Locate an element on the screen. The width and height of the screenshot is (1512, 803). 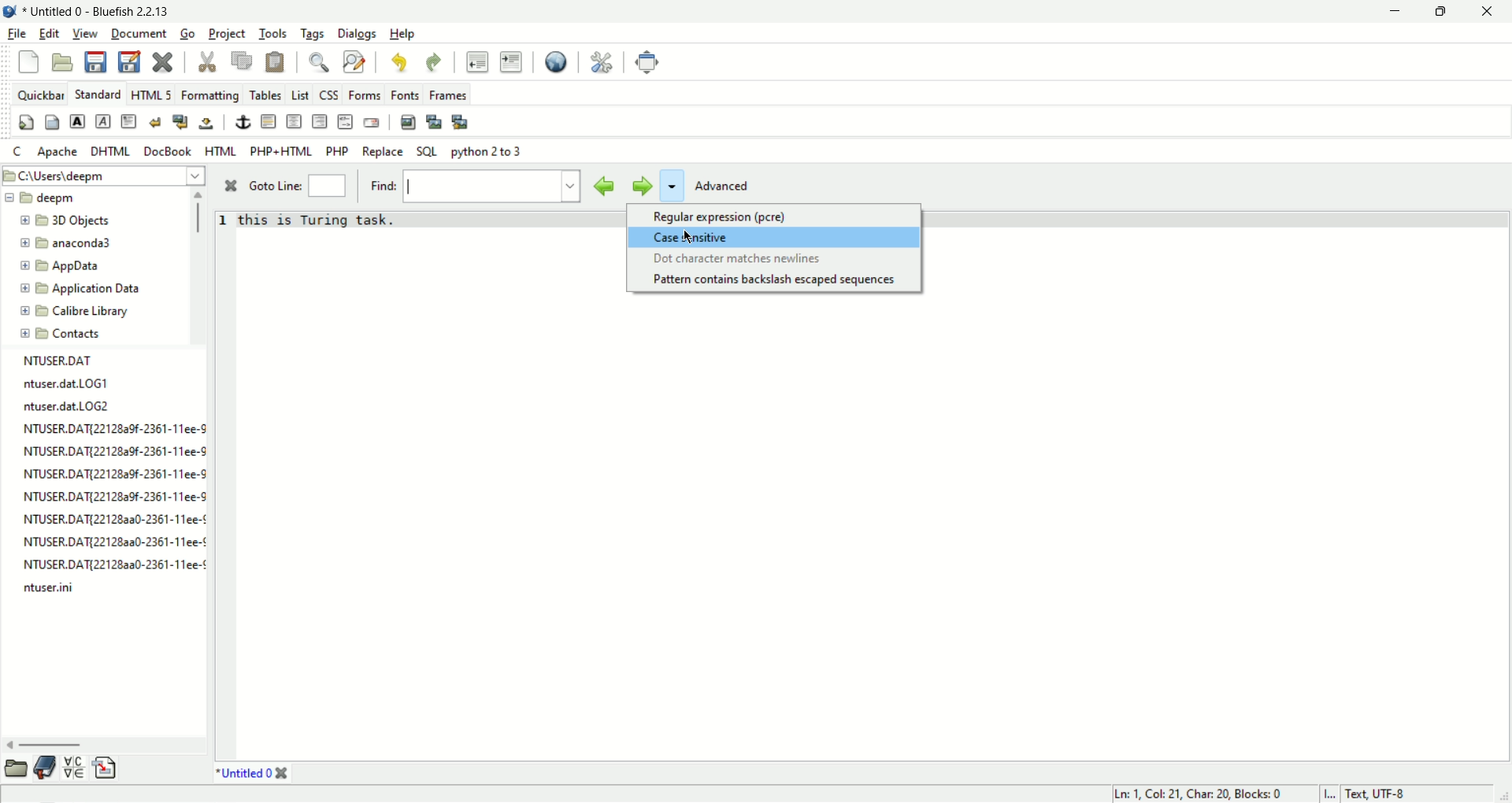
body is located at coordinates (53, 121).